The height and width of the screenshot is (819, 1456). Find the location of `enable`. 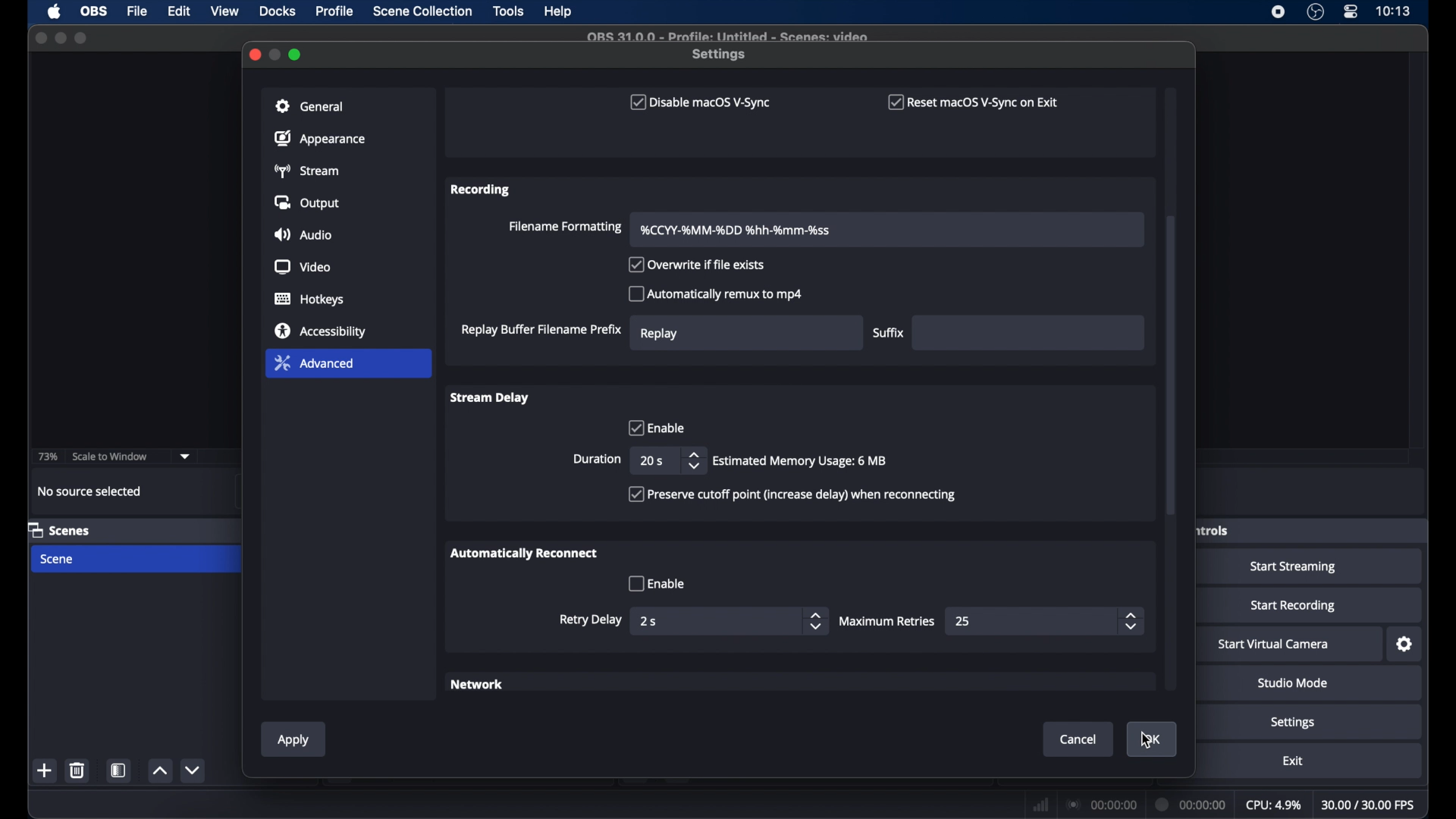

enable is located at coordinates (654, 427).